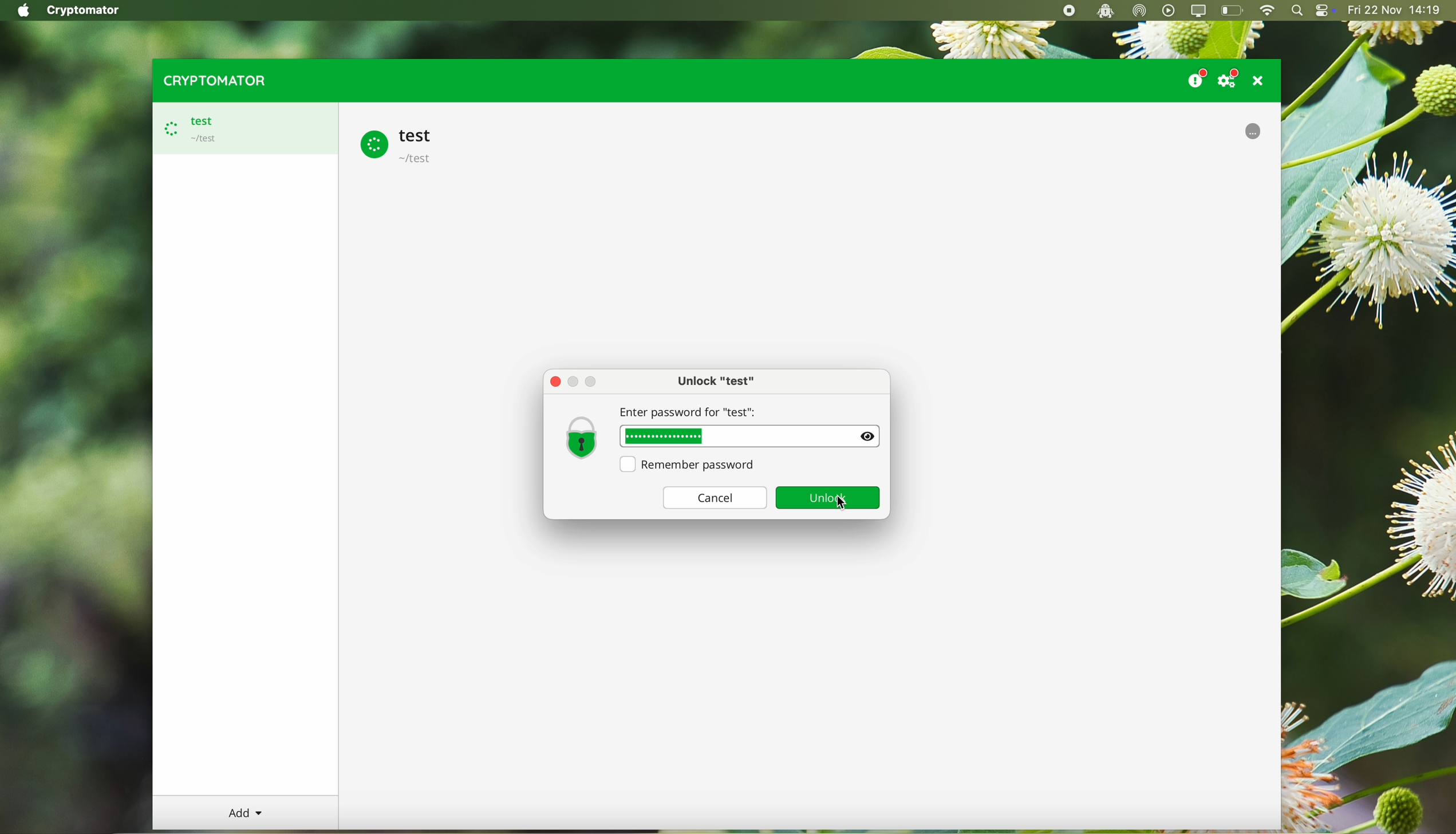 The image size is (1456, 834). Describe the element at coordinates (581, 436) in the screenshot. I see `lock icon` at that location.